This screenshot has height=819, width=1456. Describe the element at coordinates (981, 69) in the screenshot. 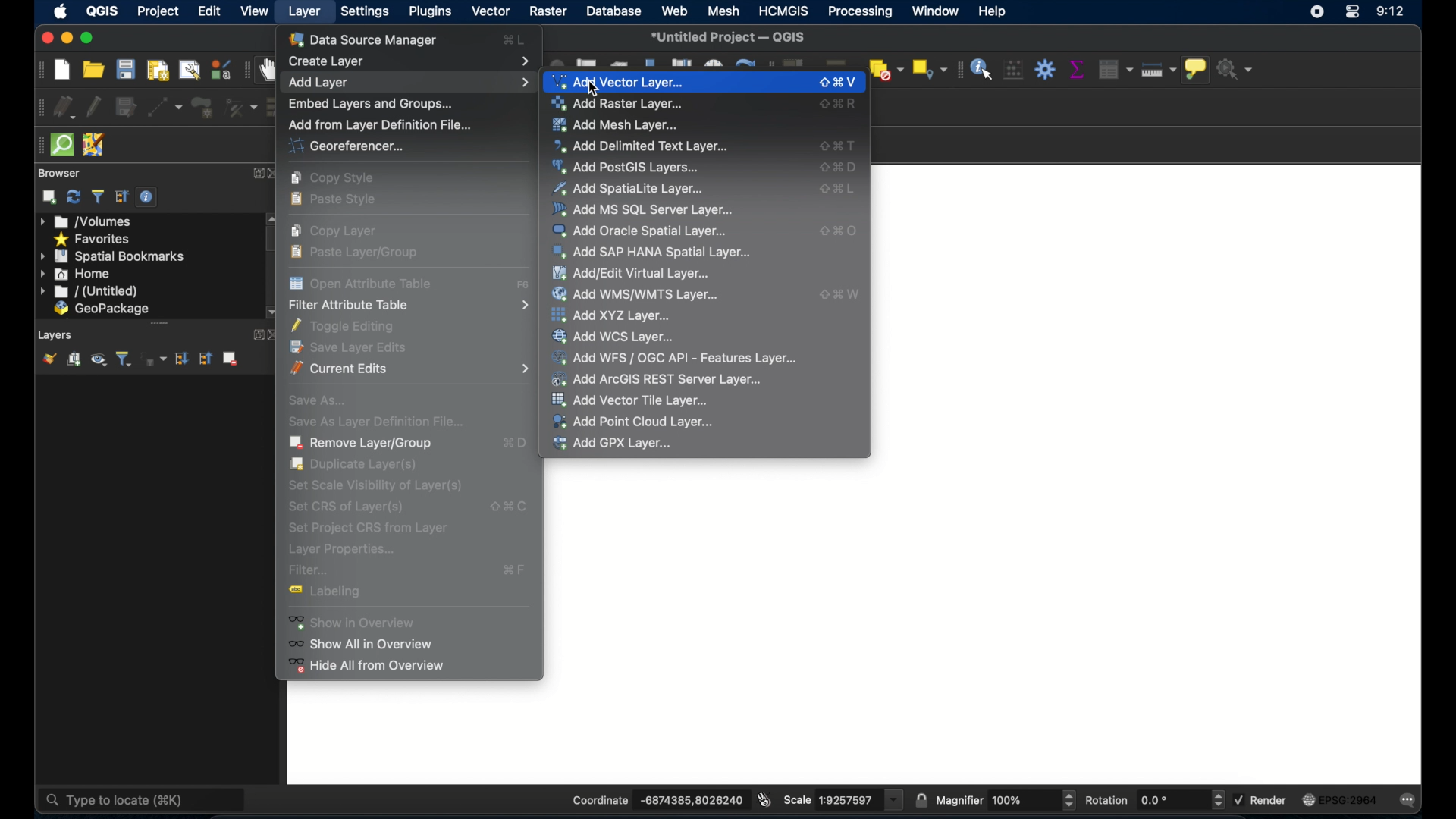

I see `identify feature` at that location.